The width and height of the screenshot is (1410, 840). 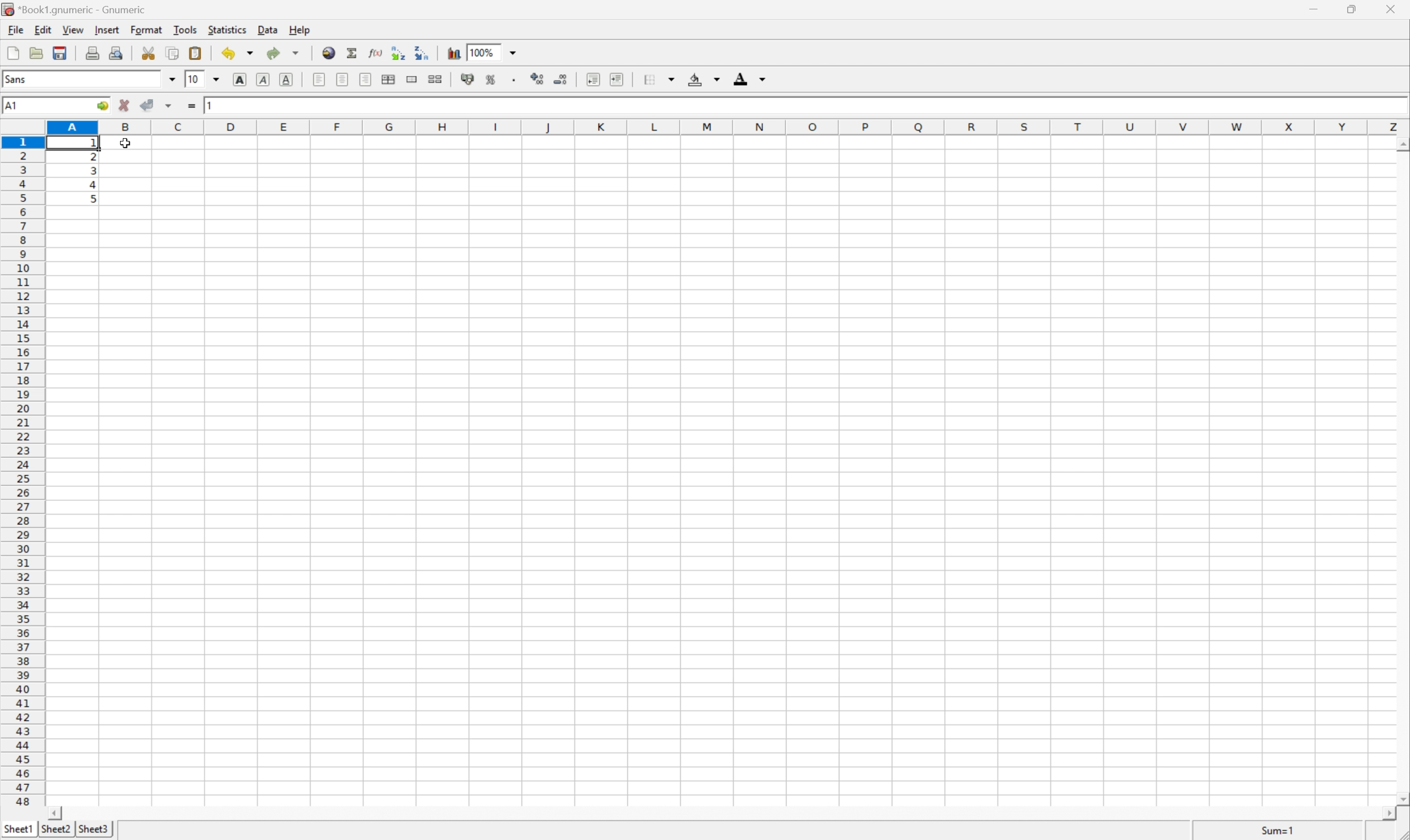 I want to click on Center horizontally, so click(x=342, y=78).